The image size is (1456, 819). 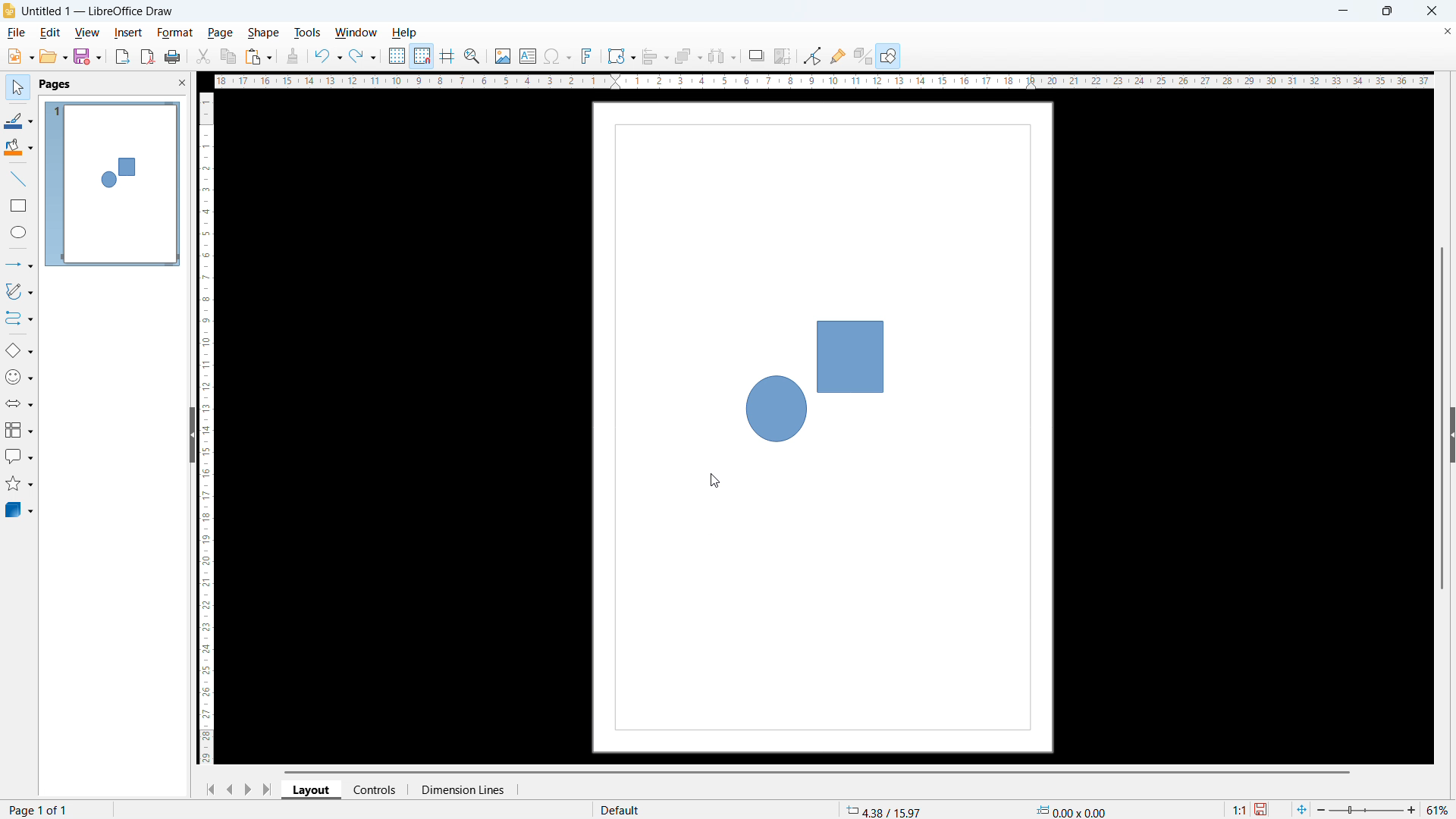 What do you see at coordinates (473, 57) in the screenshot?
I see `zoom` at bounding box center [473, 57].